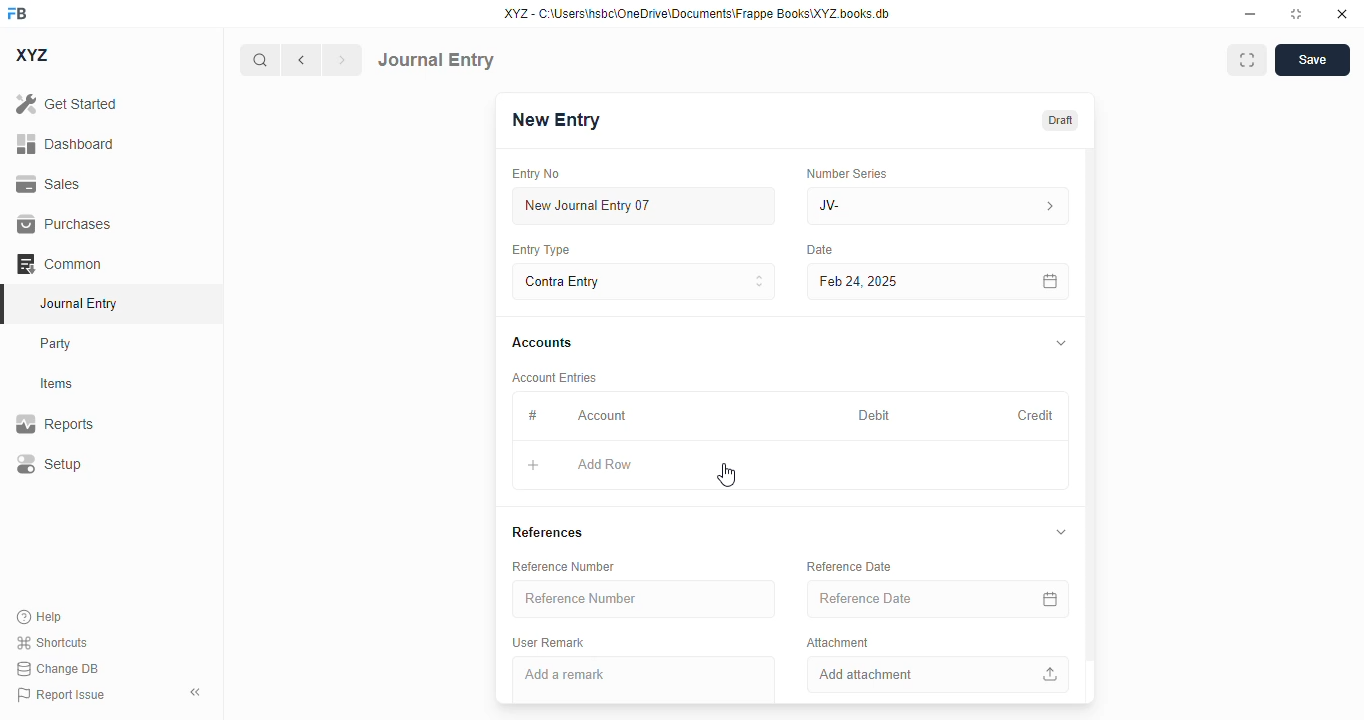  Describe the element at coordinates (1063, 532) in the screenshot. I see `toggle expand/collapse` at that location.